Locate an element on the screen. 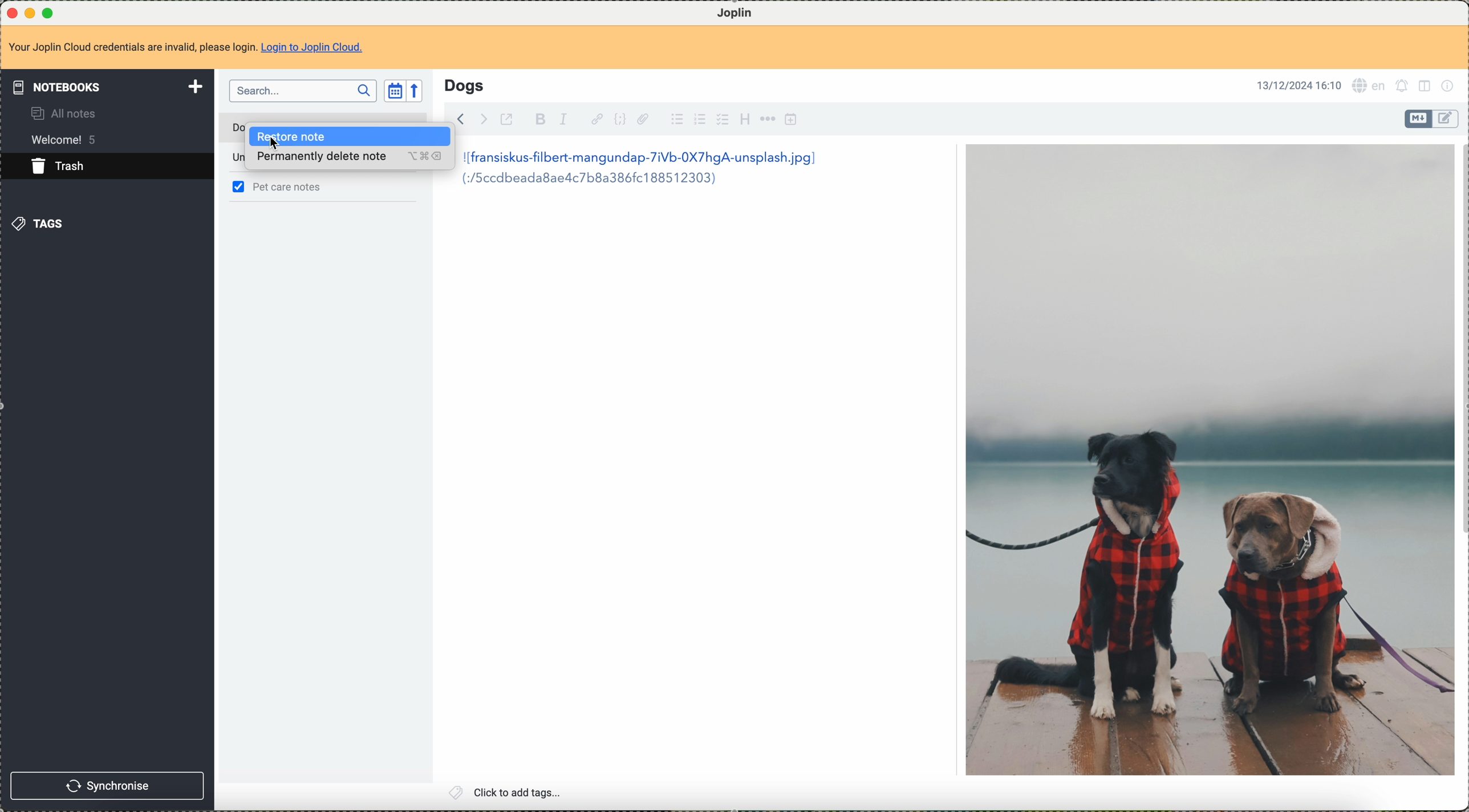  Joplin is located at coordinates (733, 12).